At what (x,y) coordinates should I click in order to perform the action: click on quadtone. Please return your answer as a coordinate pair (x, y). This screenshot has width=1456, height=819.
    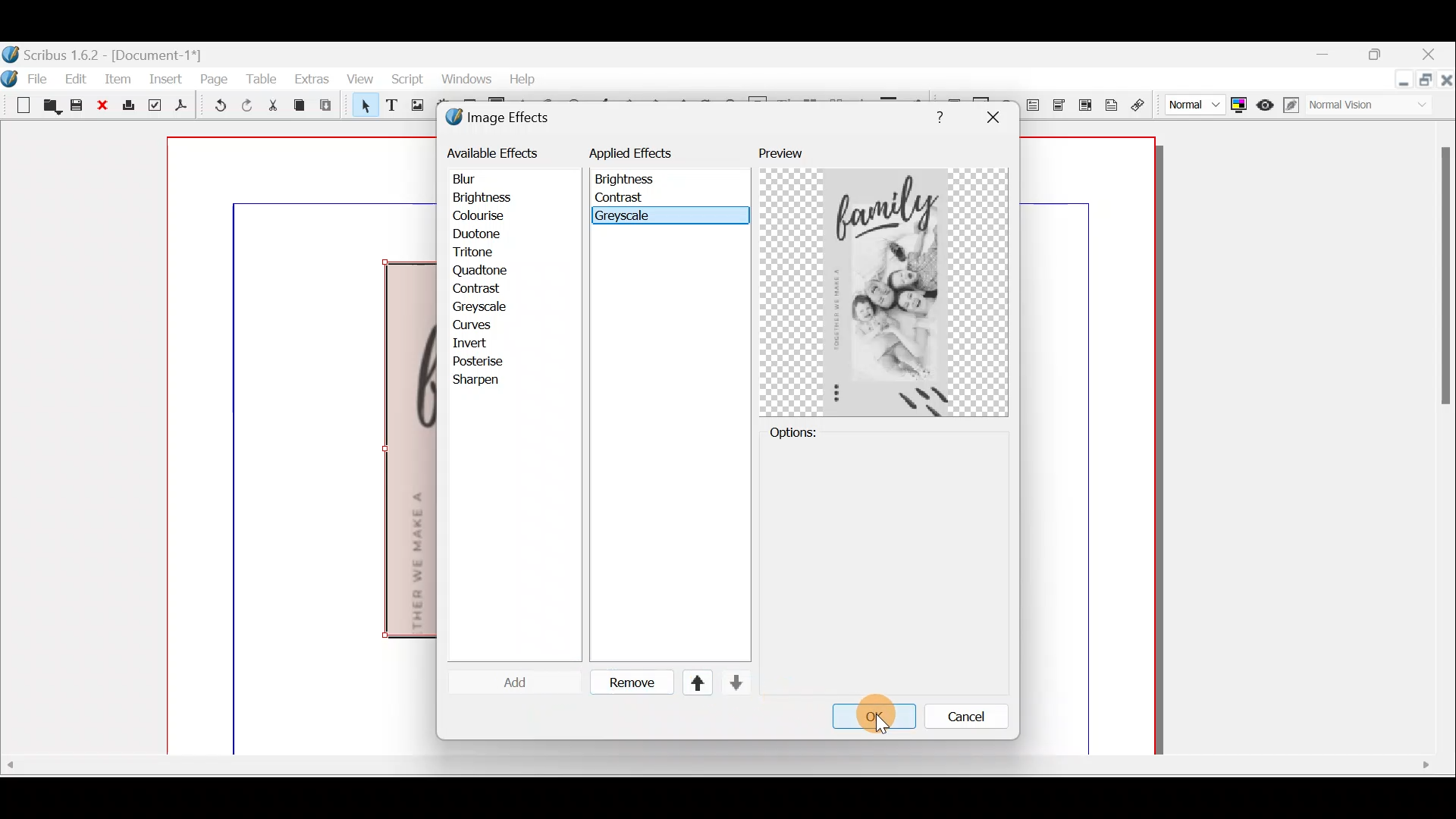
    Looking at the image, I should click on (485, 271).